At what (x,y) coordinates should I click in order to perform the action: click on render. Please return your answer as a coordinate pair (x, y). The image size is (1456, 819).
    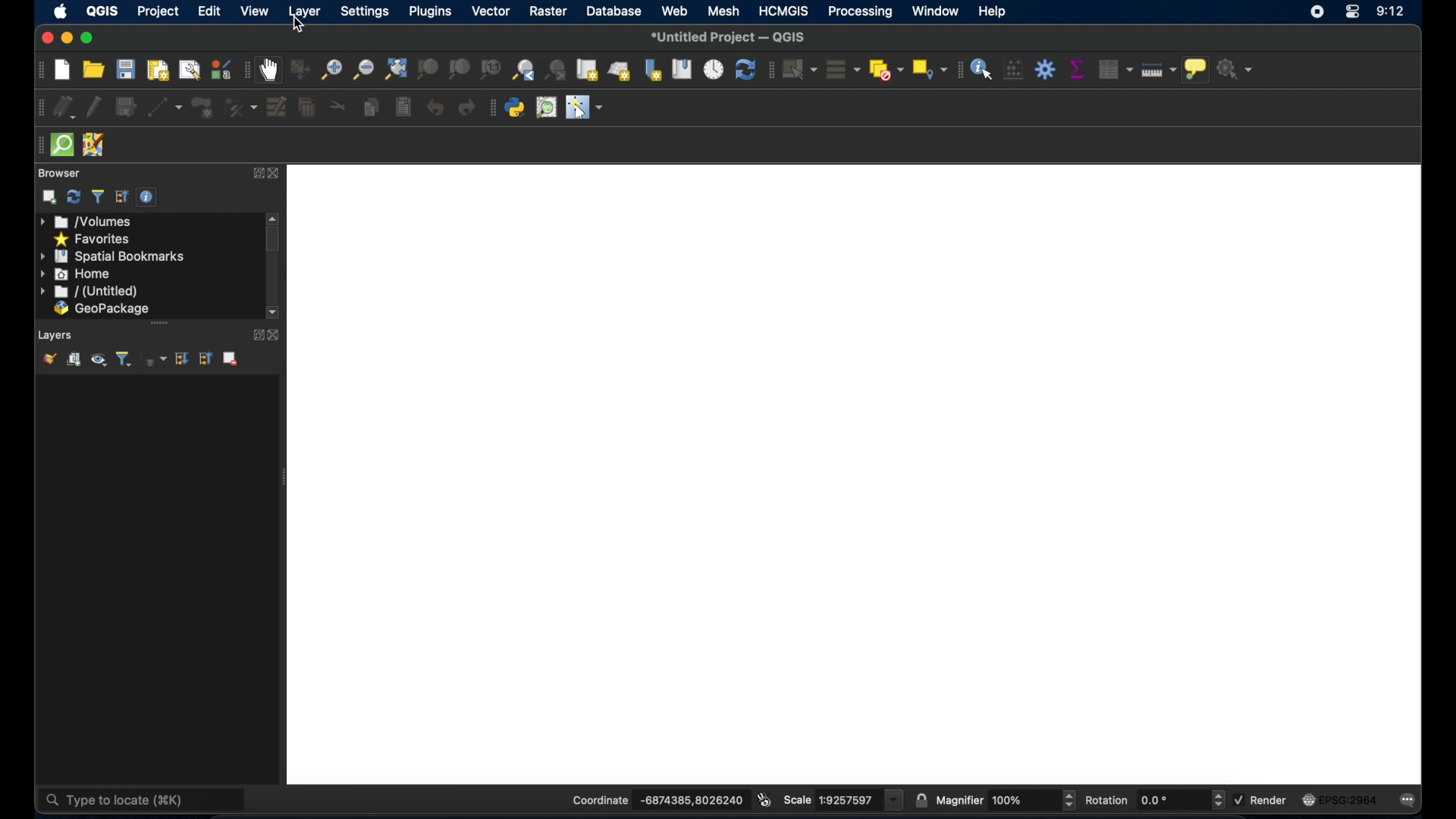
    Looking at the image, I should click on (1261, 799).